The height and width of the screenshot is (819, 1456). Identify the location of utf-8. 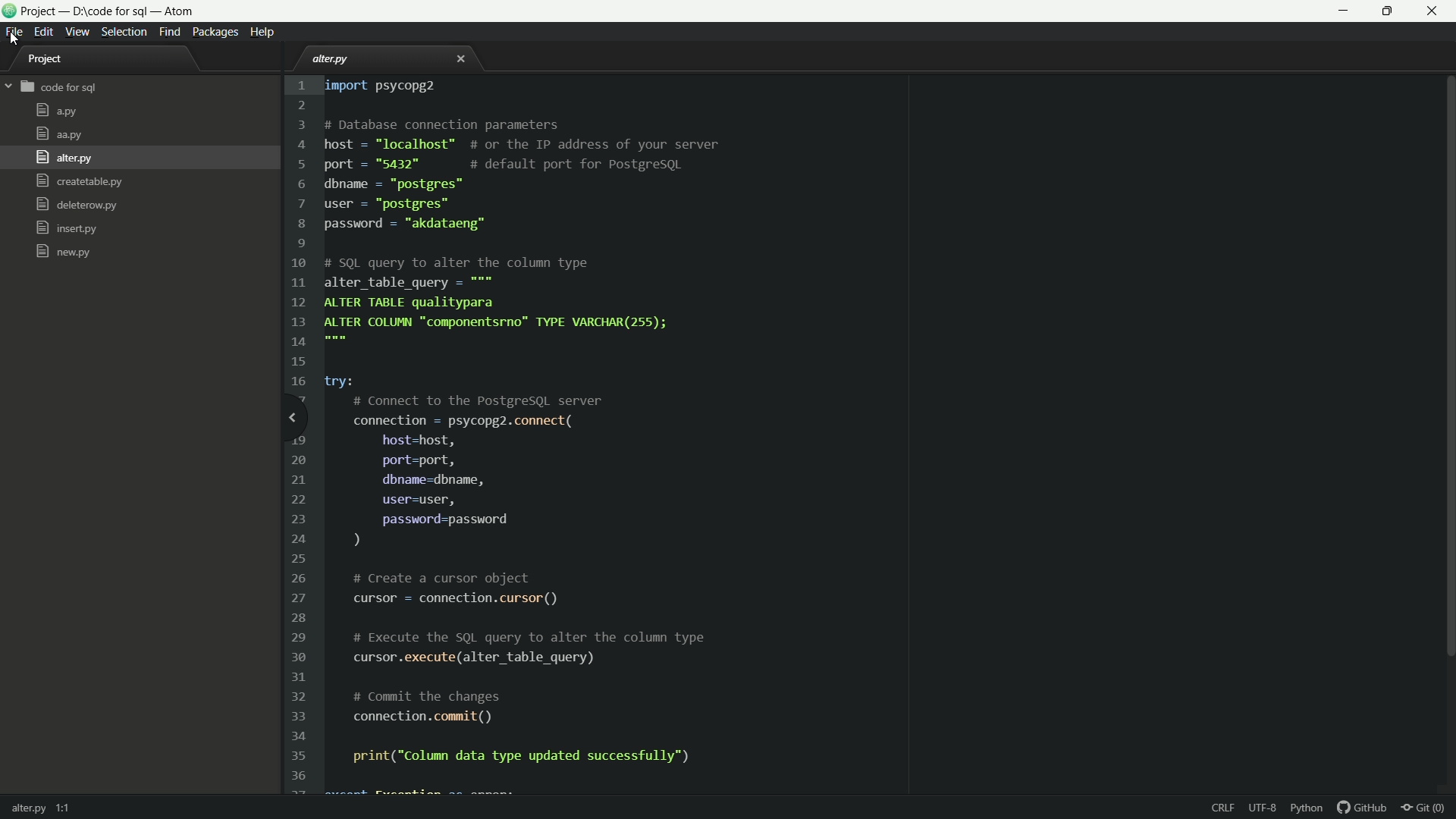
(1263, 809).